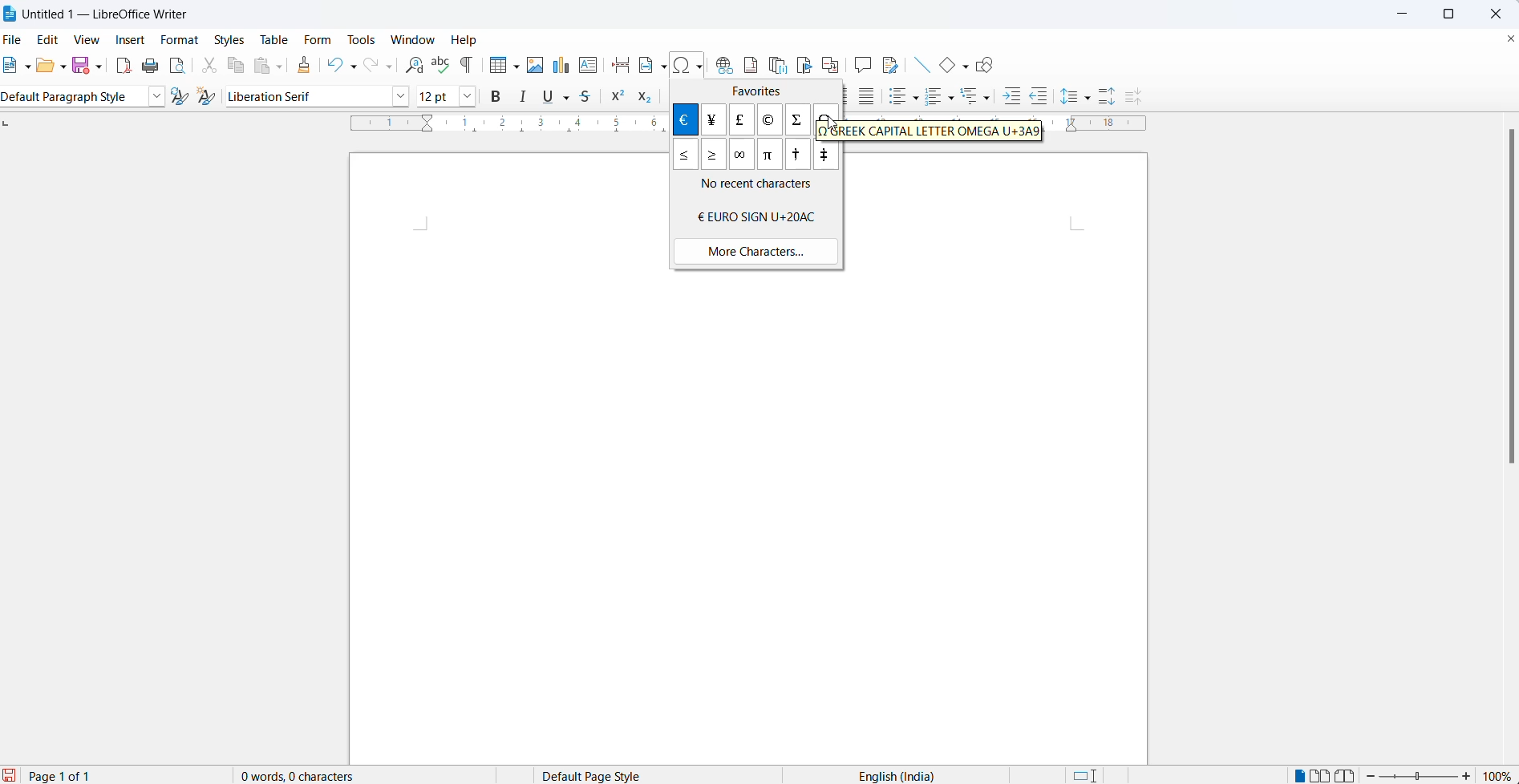  Describe the element at coordinates (301, 776) in the screenshot. I see `word and character count` at that location.